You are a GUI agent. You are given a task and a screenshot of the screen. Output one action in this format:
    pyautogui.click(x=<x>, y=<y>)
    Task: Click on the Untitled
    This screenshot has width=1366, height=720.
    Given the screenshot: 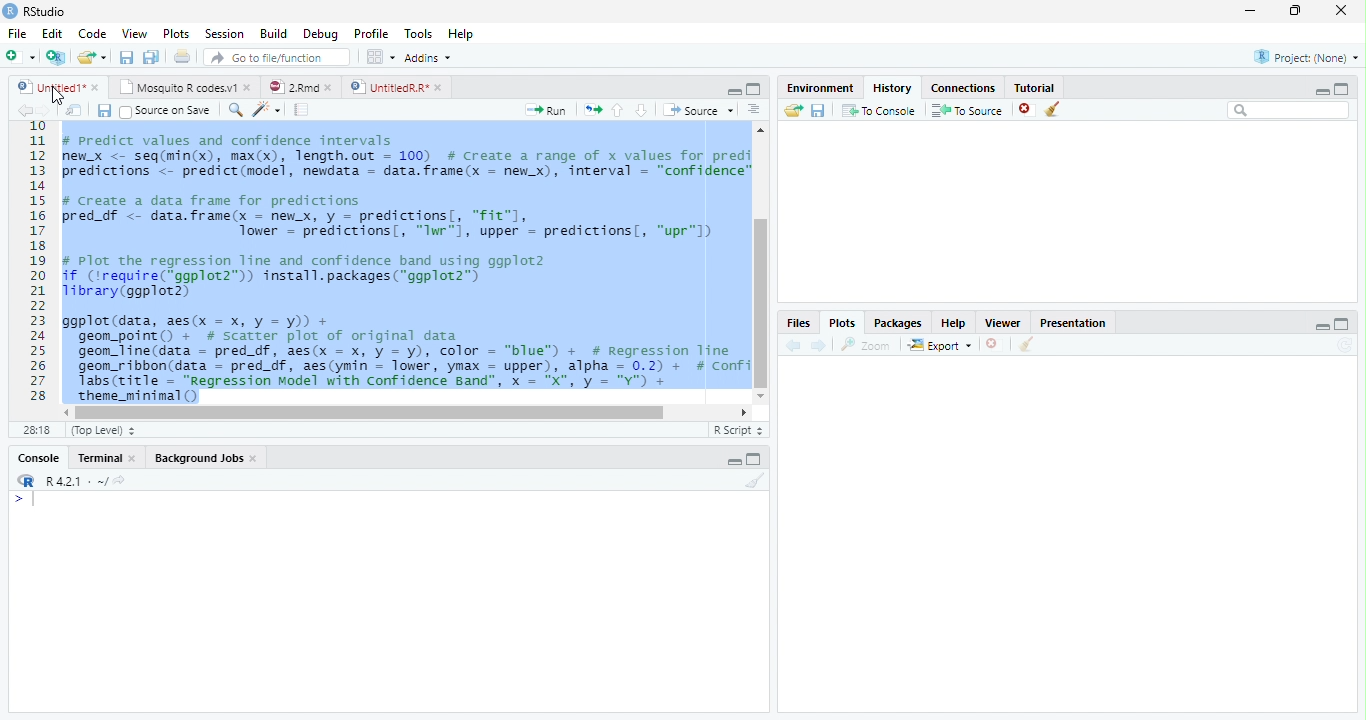 What is the action you would take?
    pyautogui.click(x=59, y=86)
    